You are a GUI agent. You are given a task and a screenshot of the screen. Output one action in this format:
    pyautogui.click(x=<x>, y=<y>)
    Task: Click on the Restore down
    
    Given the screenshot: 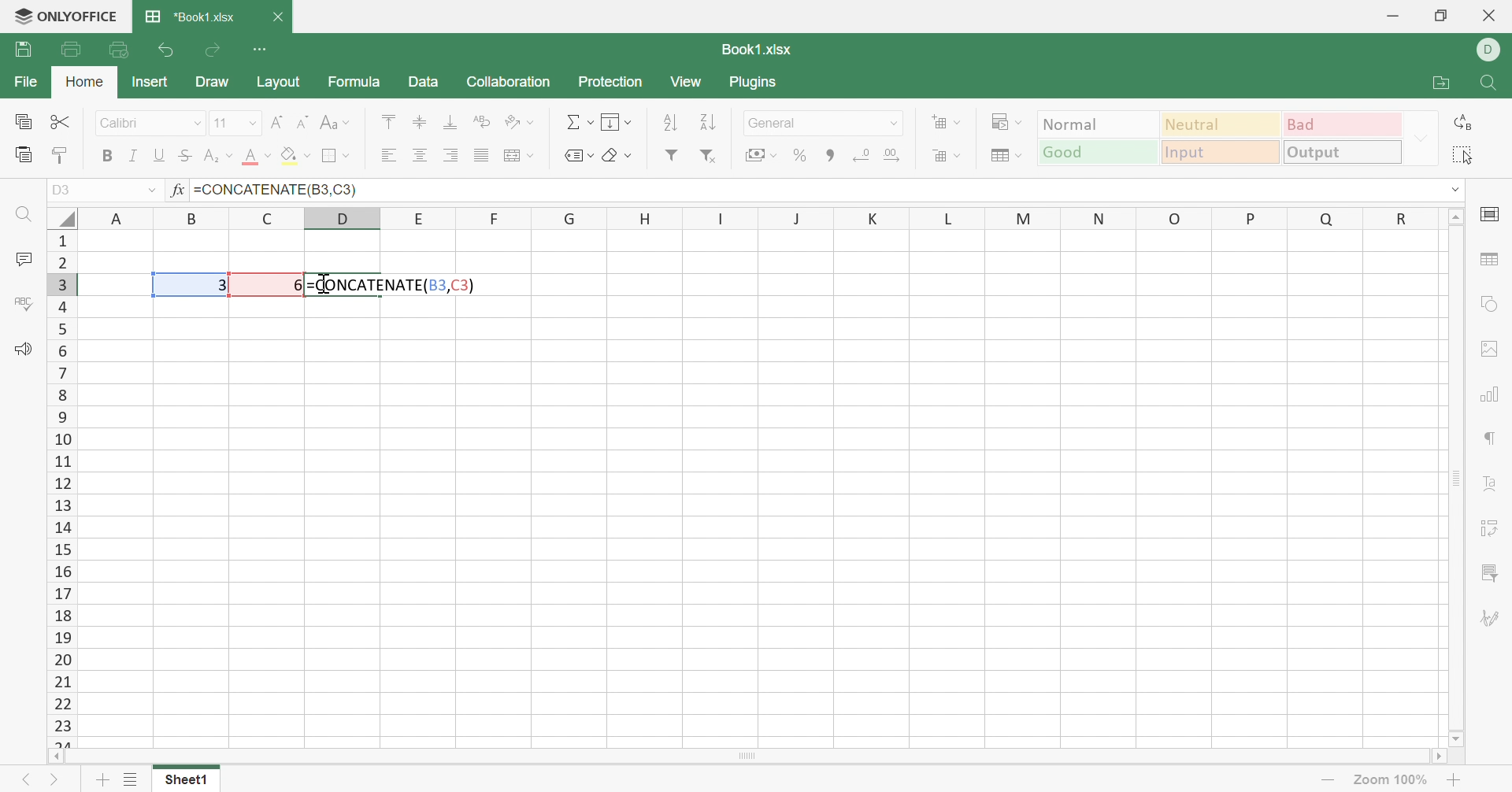 What is the action you would take?
    pyautogui.click(x=1446, y=15)
    